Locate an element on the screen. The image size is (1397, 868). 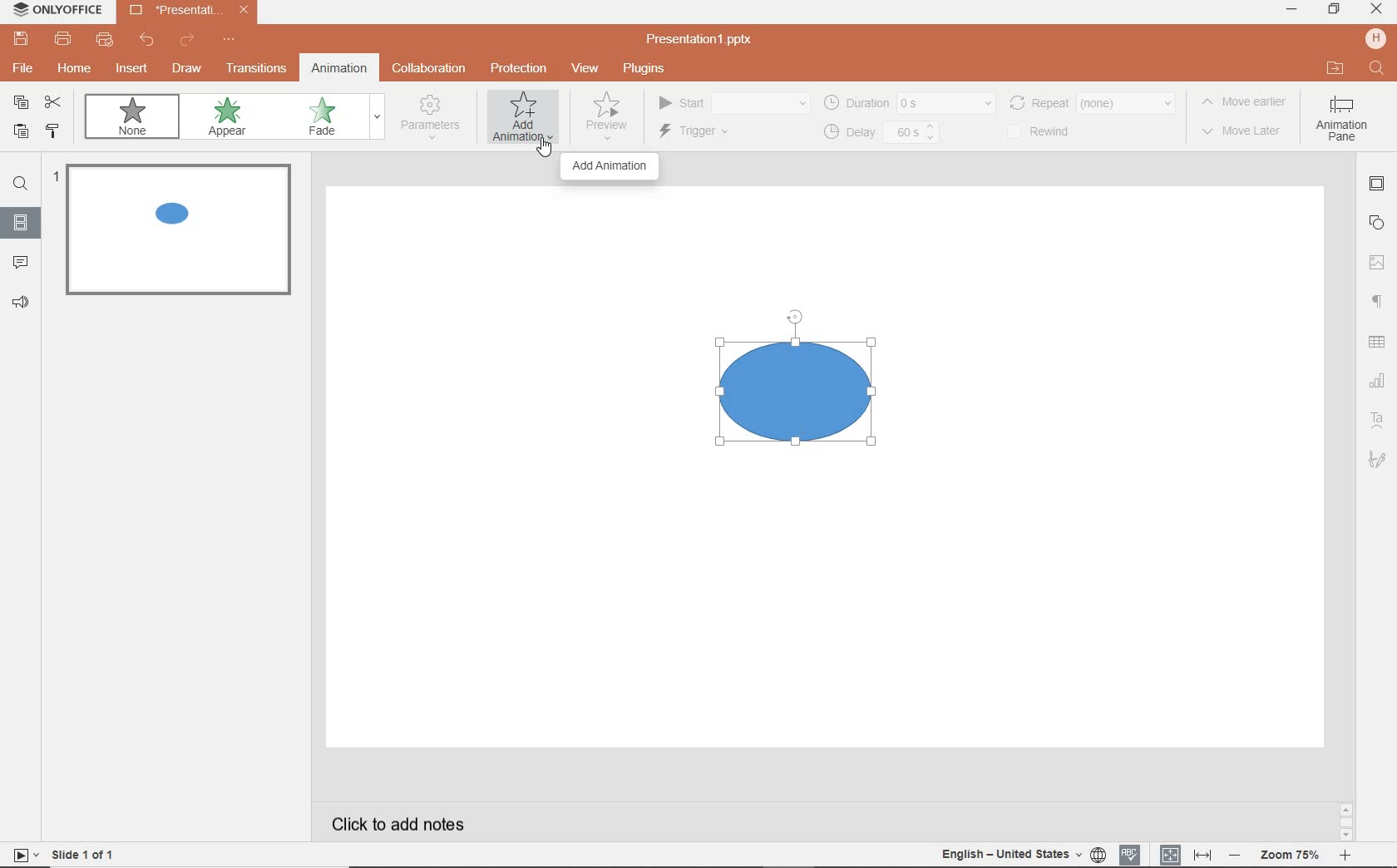
view is located at coordinates (588, 69).